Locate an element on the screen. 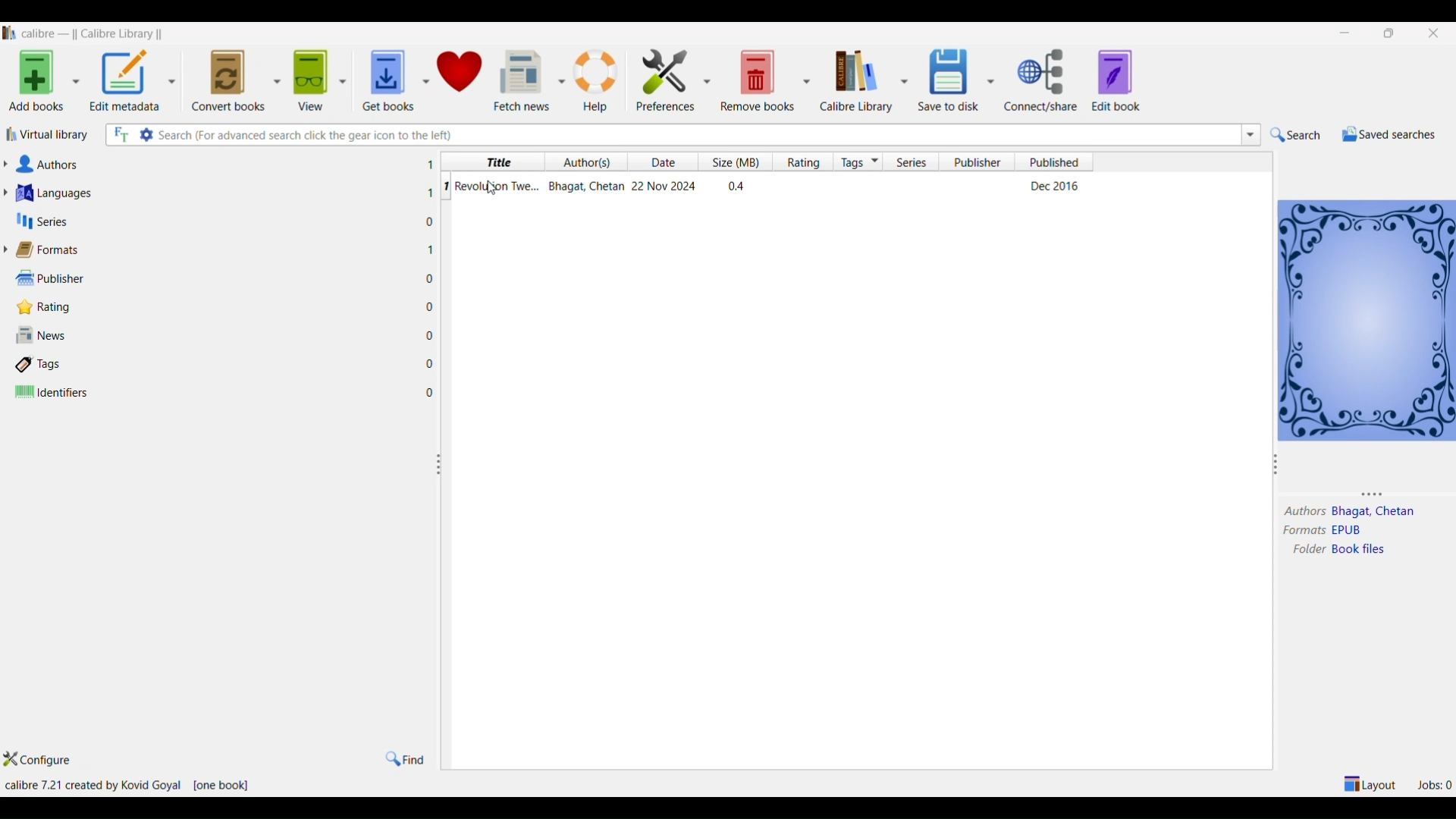 The height and width of the screenshot is (819, 1456). convert books options dropdown button is located at coordinates (275, 77).